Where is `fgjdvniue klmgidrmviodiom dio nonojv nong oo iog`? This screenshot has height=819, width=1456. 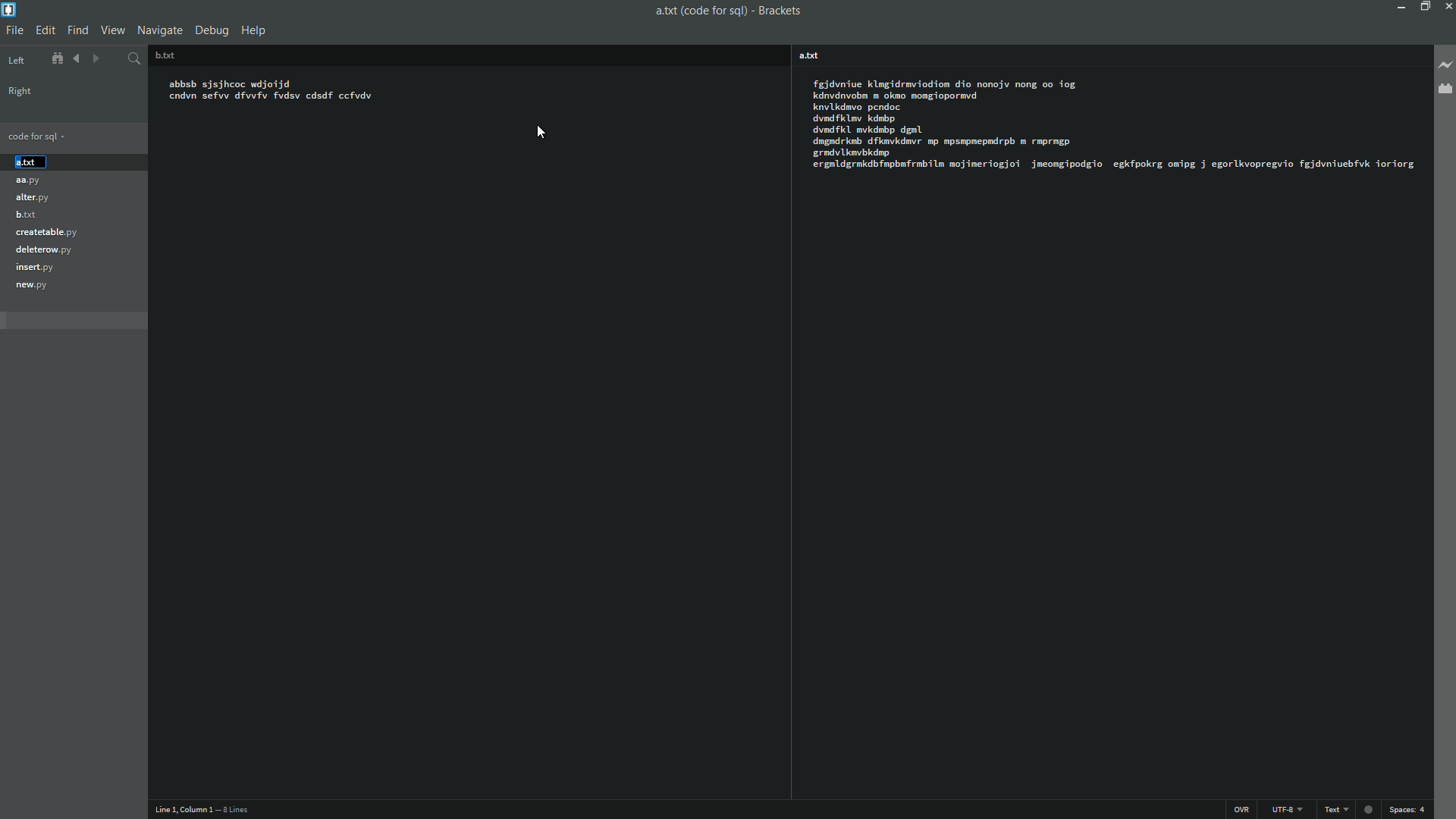 fgjdvniue klmgidrmviodiom dio nonojv nong oo iog is located at coordinates (944, 84).